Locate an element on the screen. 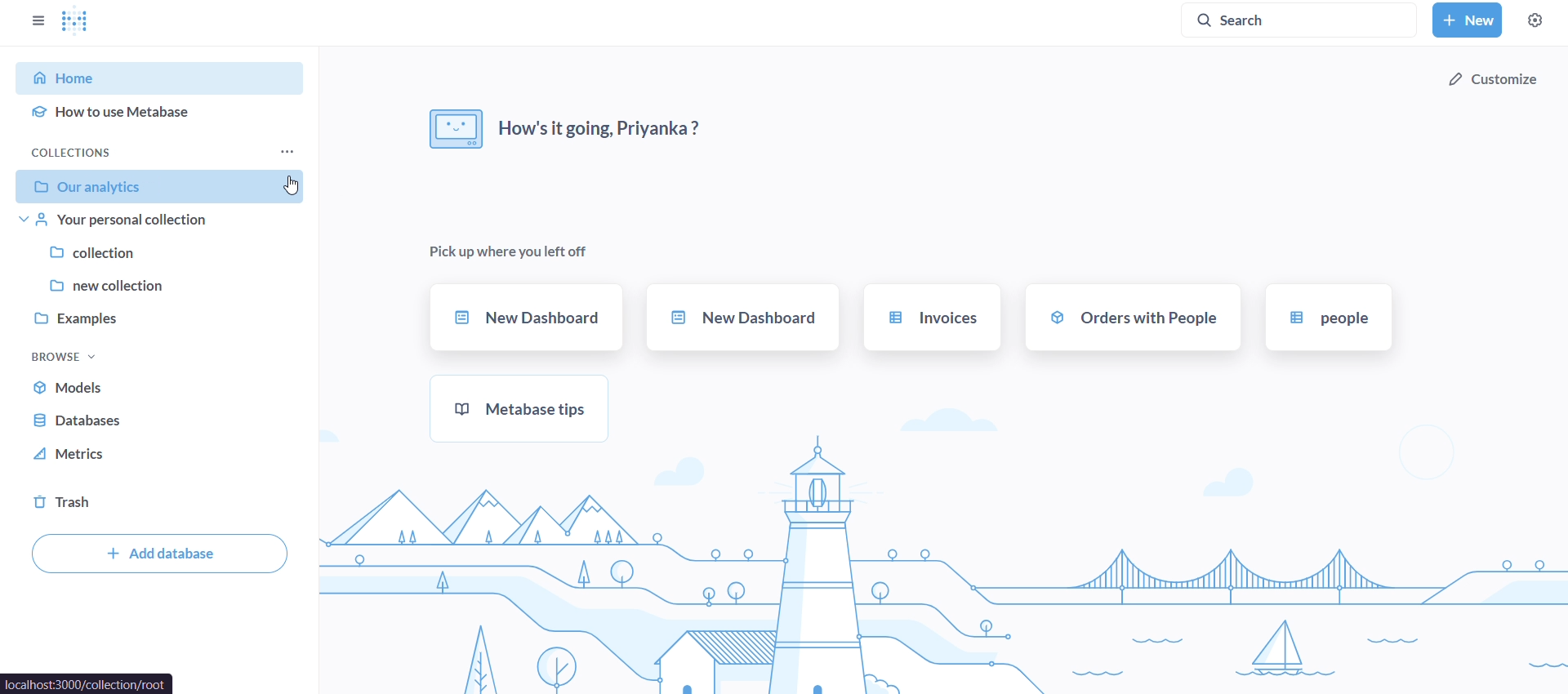 The image size is (1568, 694). close sidebar is located at coordinates (42, 17).